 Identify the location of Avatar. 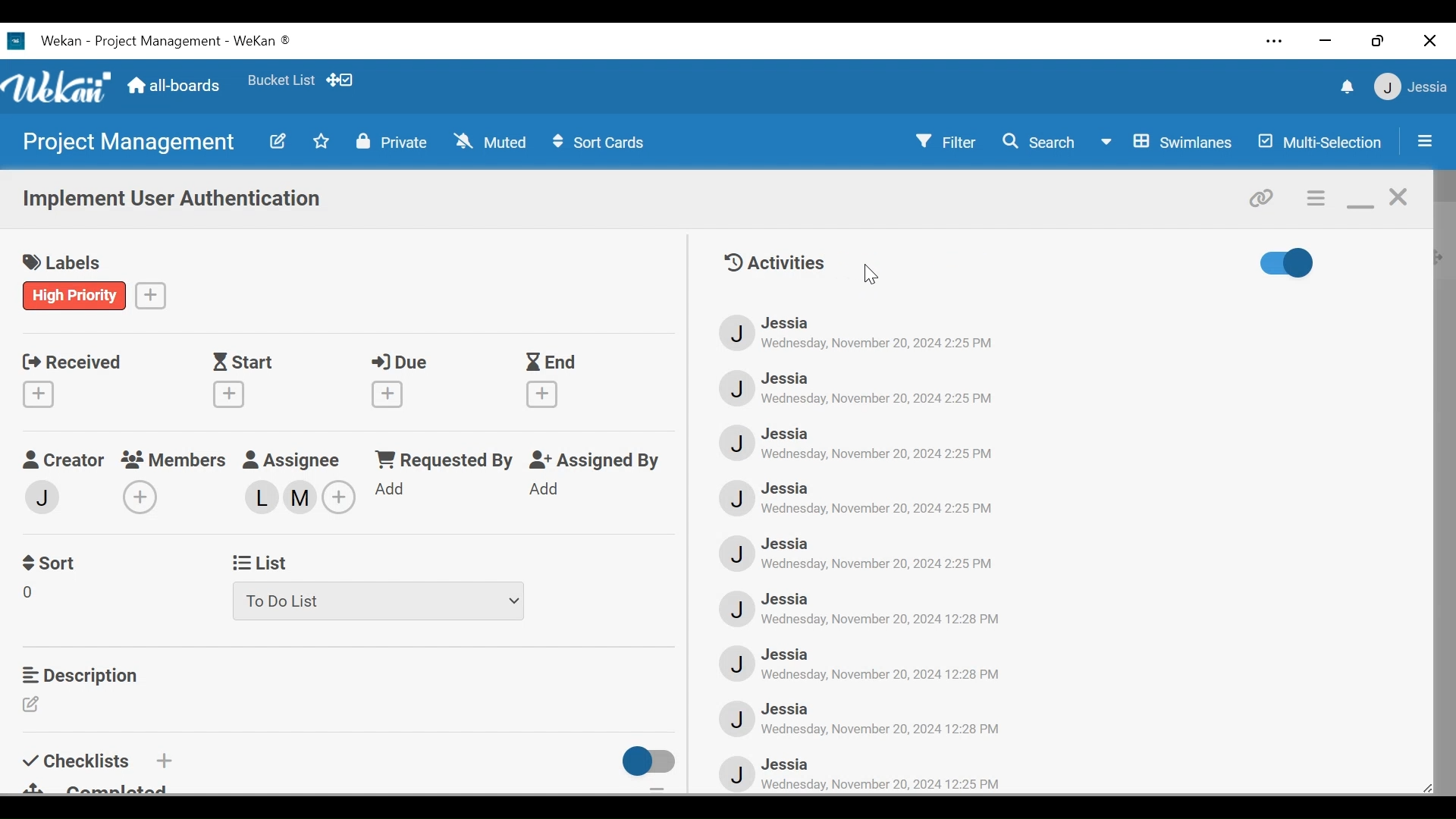
(735, 552).